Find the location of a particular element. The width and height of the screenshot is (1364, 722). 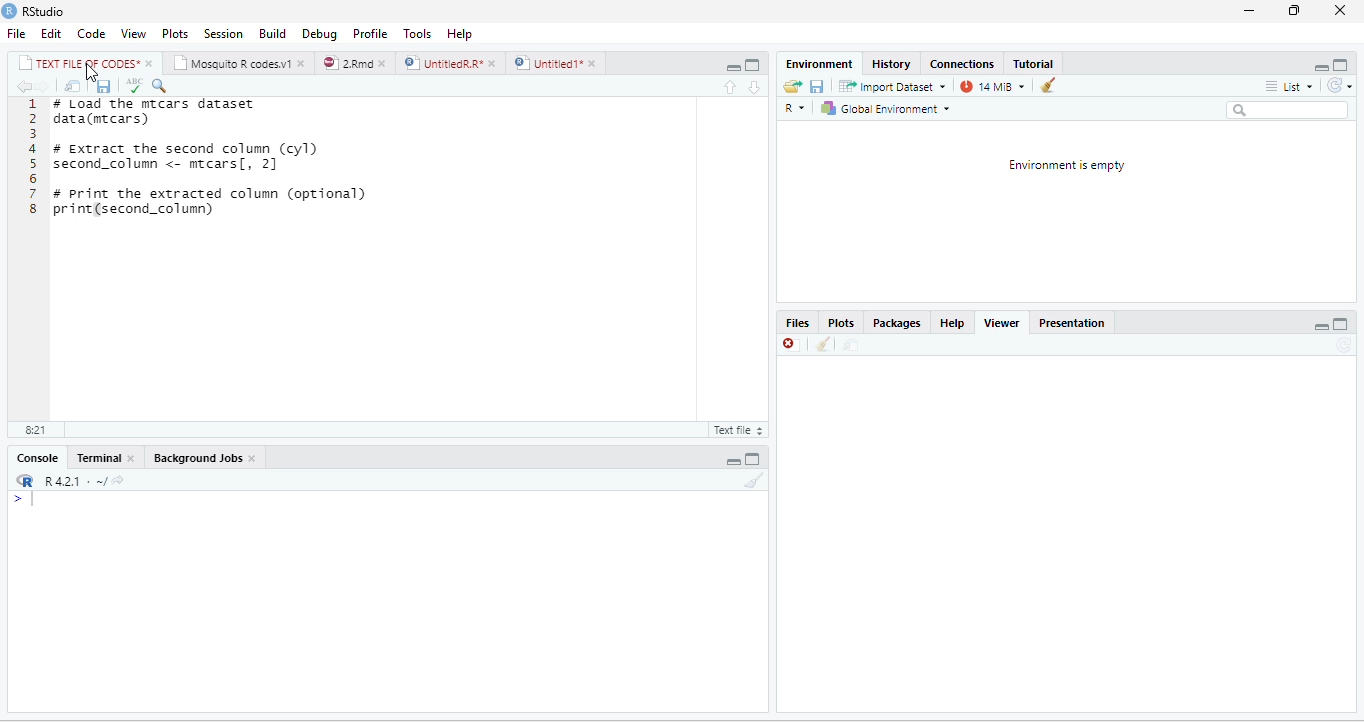

previous  is located at coordinates (22, 86).